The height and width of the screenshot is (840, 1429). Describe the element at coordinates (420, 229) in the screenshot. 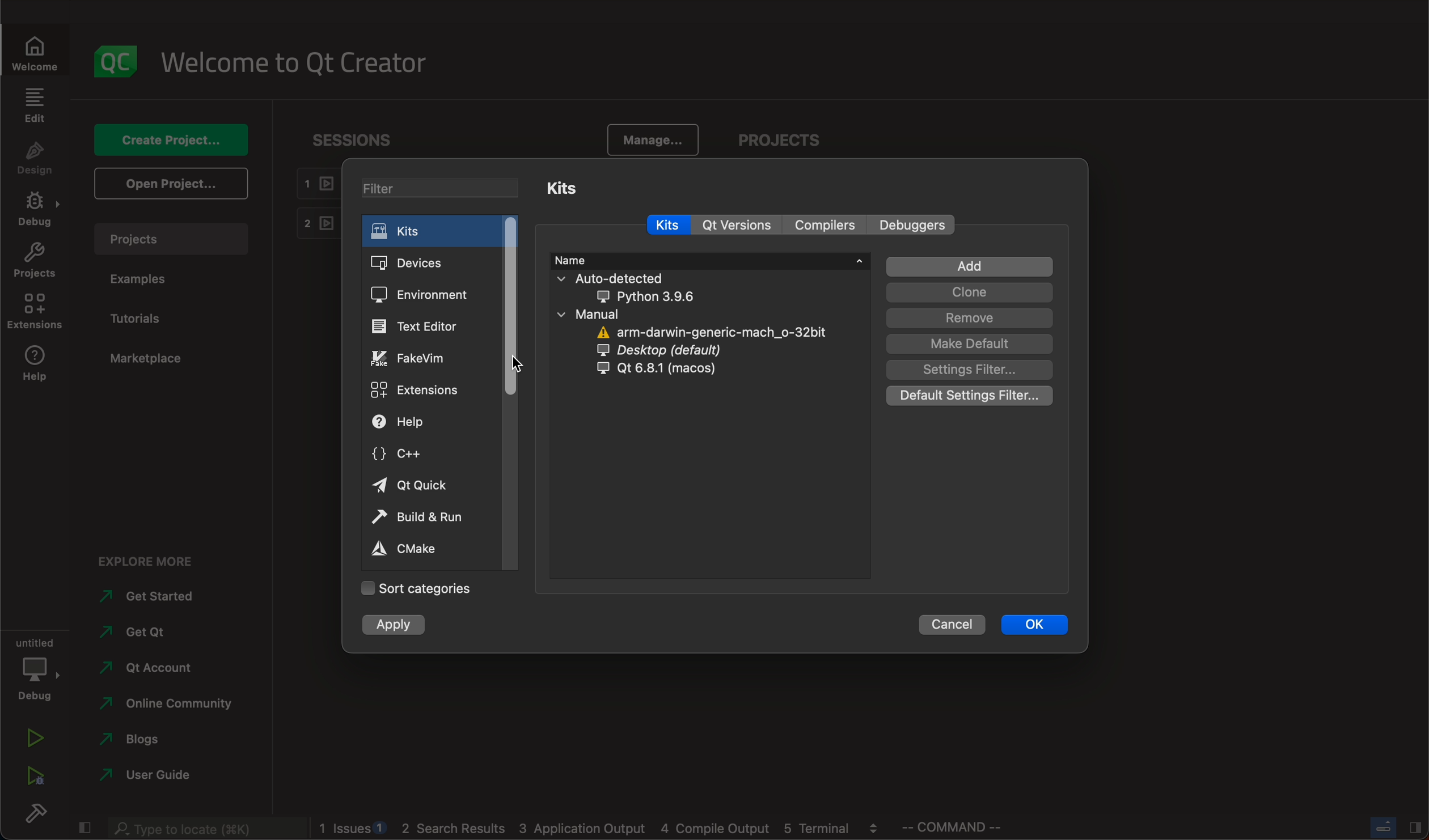

I see `kits` at that location.